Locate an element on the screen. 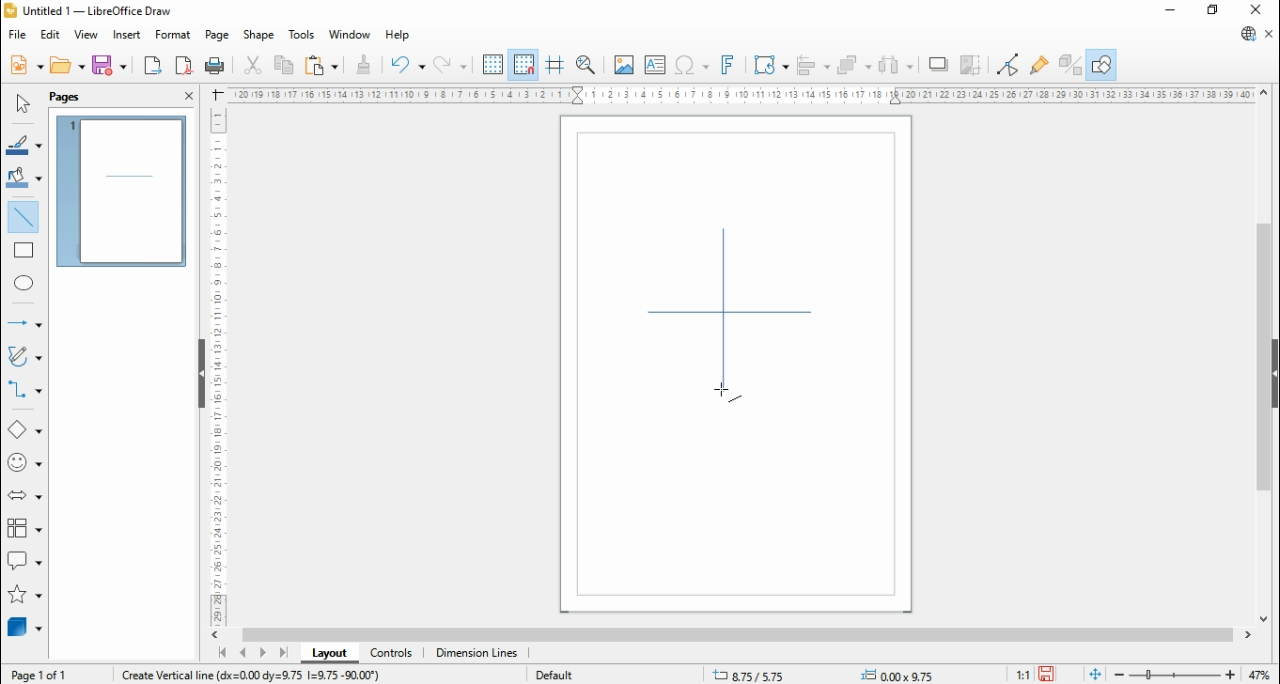 The height and width of the screenshot is (684, 1280). help is located at coordinates (398, 35).